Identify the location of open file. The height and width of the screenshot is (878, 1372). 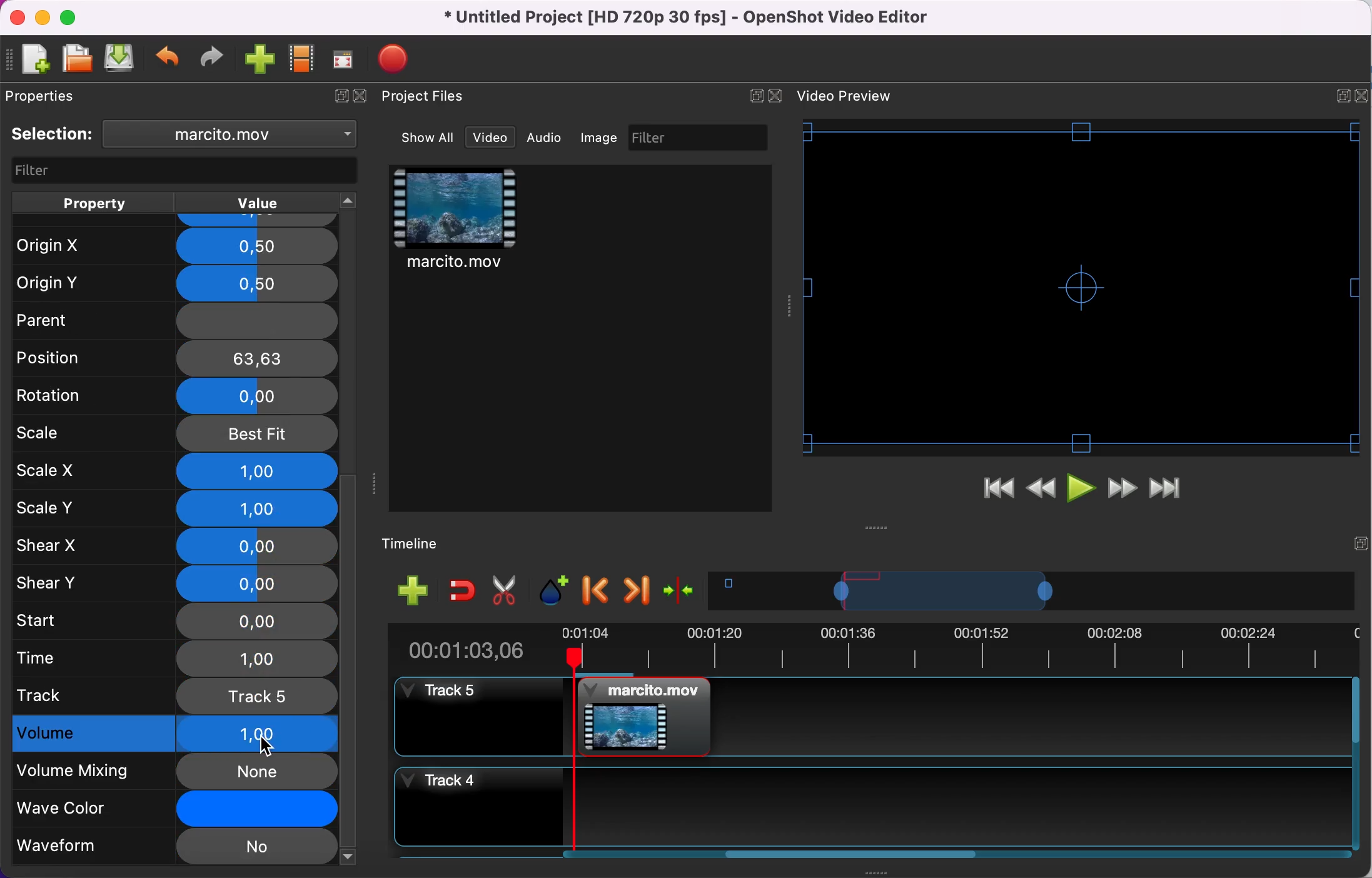
(76, 59).